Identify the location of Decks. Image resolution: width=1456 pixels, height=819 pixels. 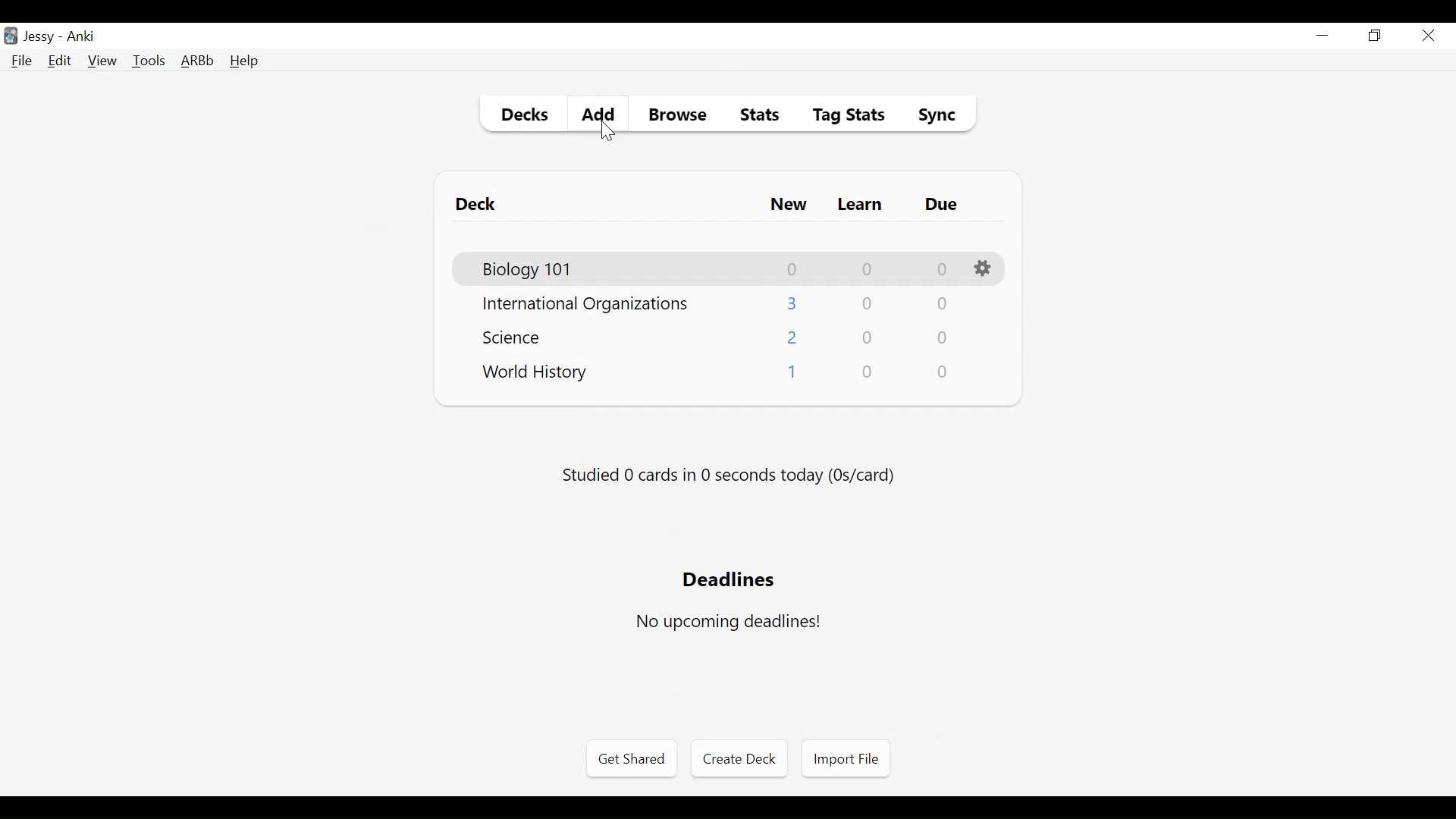
(521, 117).